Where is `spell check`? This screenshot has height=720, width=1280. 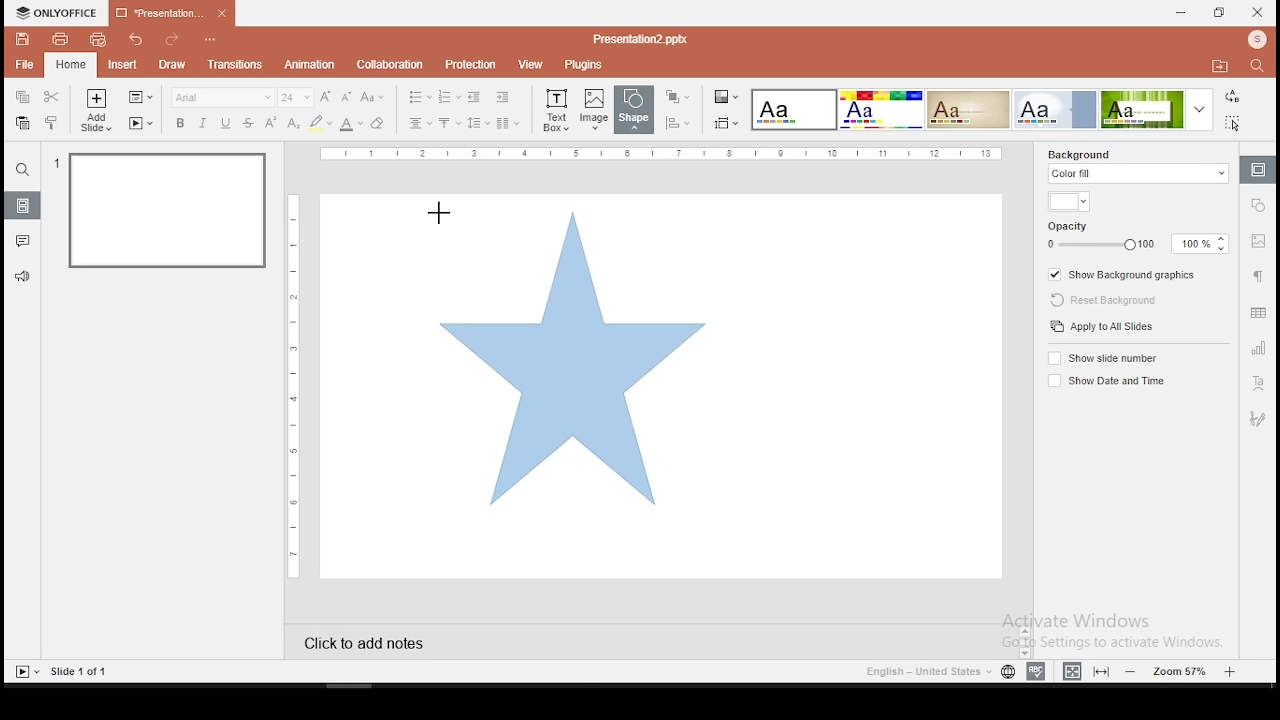
spell check is located at coordinates (1039, 669).